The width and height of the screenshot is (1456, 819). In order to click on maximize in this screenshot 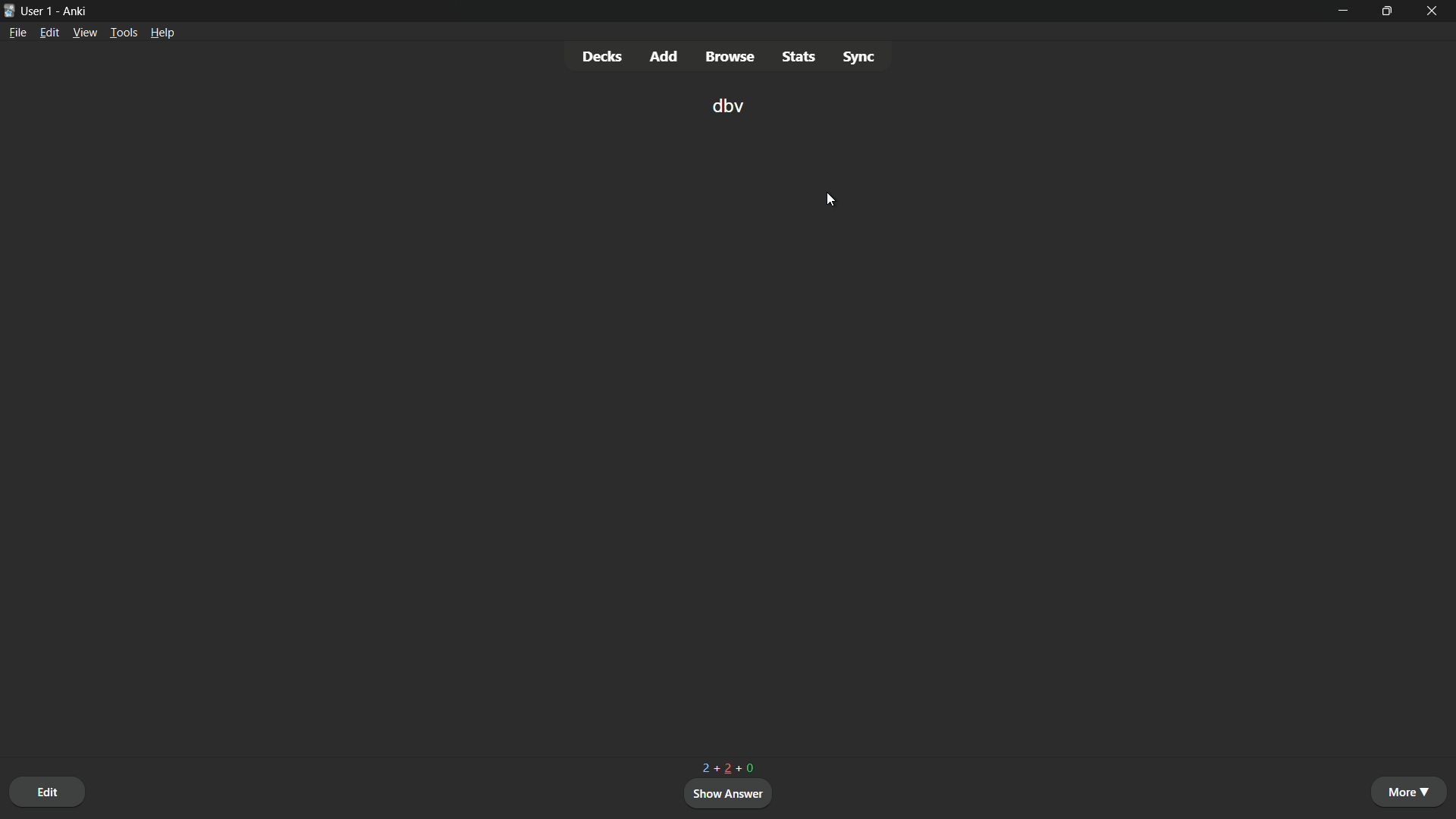, I will do `click(1385, 11)`.